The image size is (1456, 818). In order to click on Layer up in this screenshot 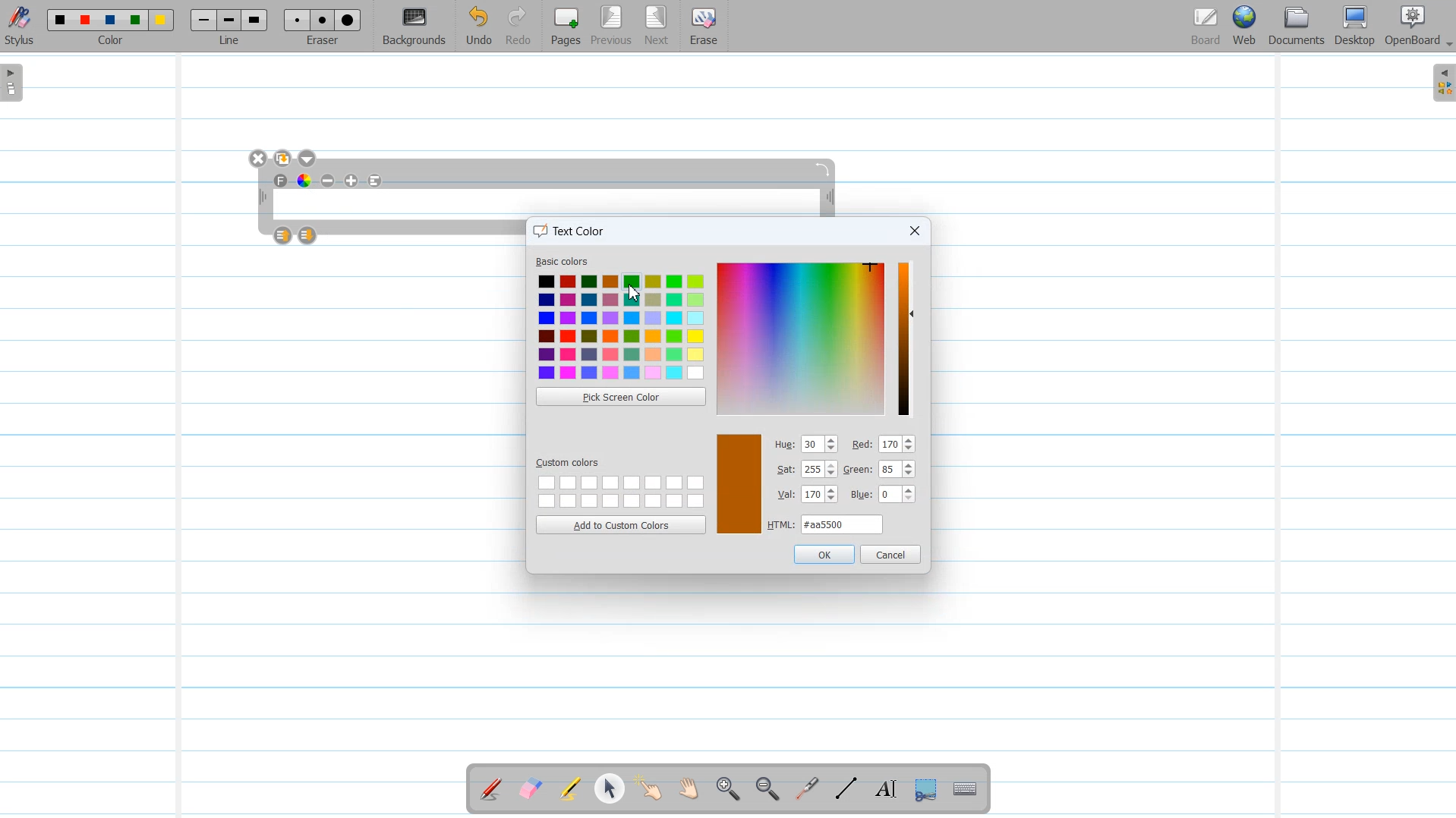, I will do `click(284, 235)`.